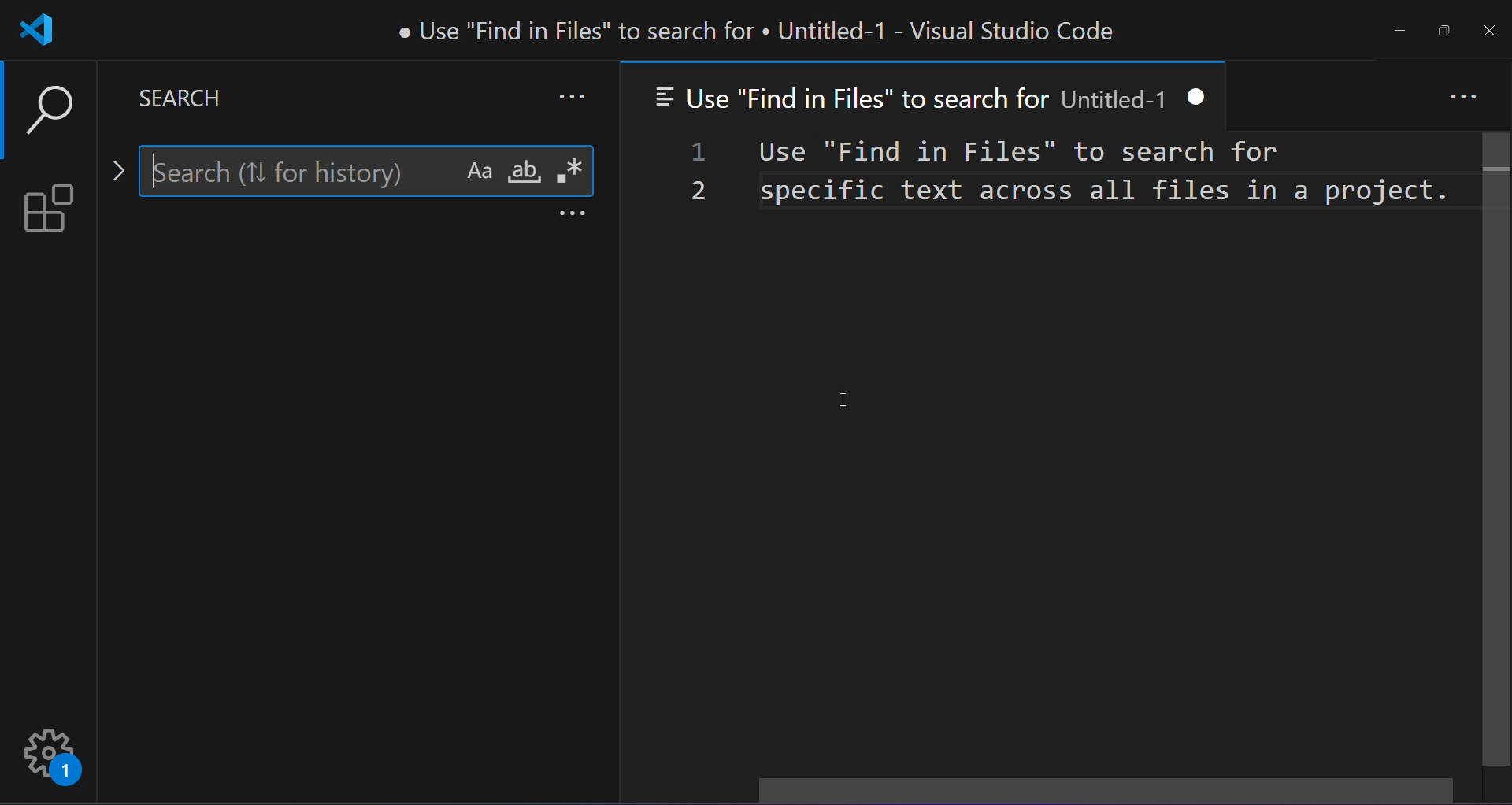 Image resolution: width=1512 pixels, height=805 pixels. Describe the element at coordinates (1458, 99) in the screenshot. I see `more` at that location.